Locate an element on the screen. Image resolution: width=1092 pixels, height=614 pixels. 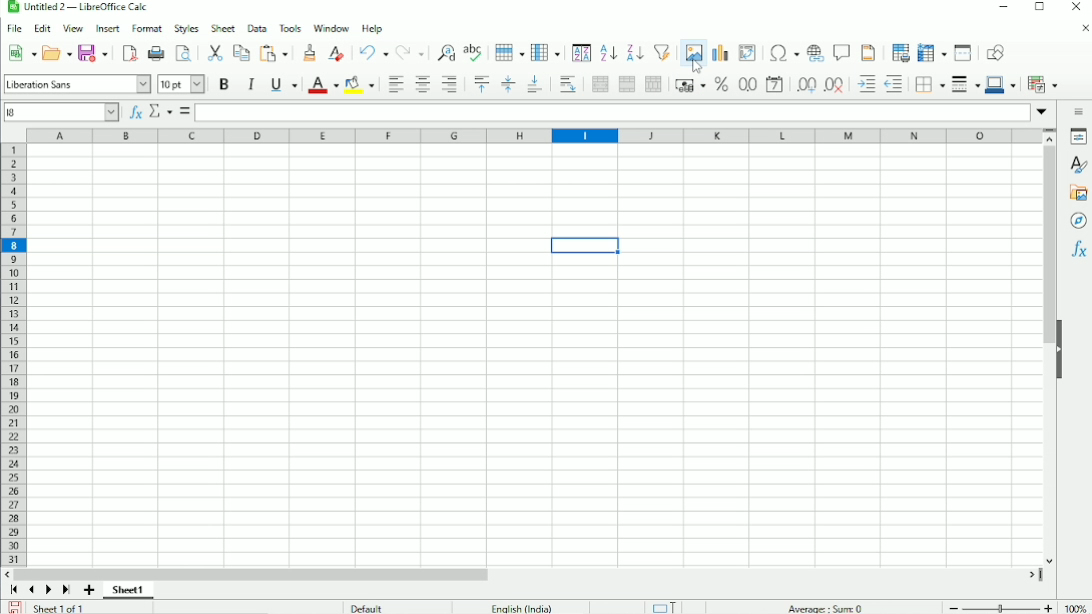
Insert image is located at coordinates (691, 49).